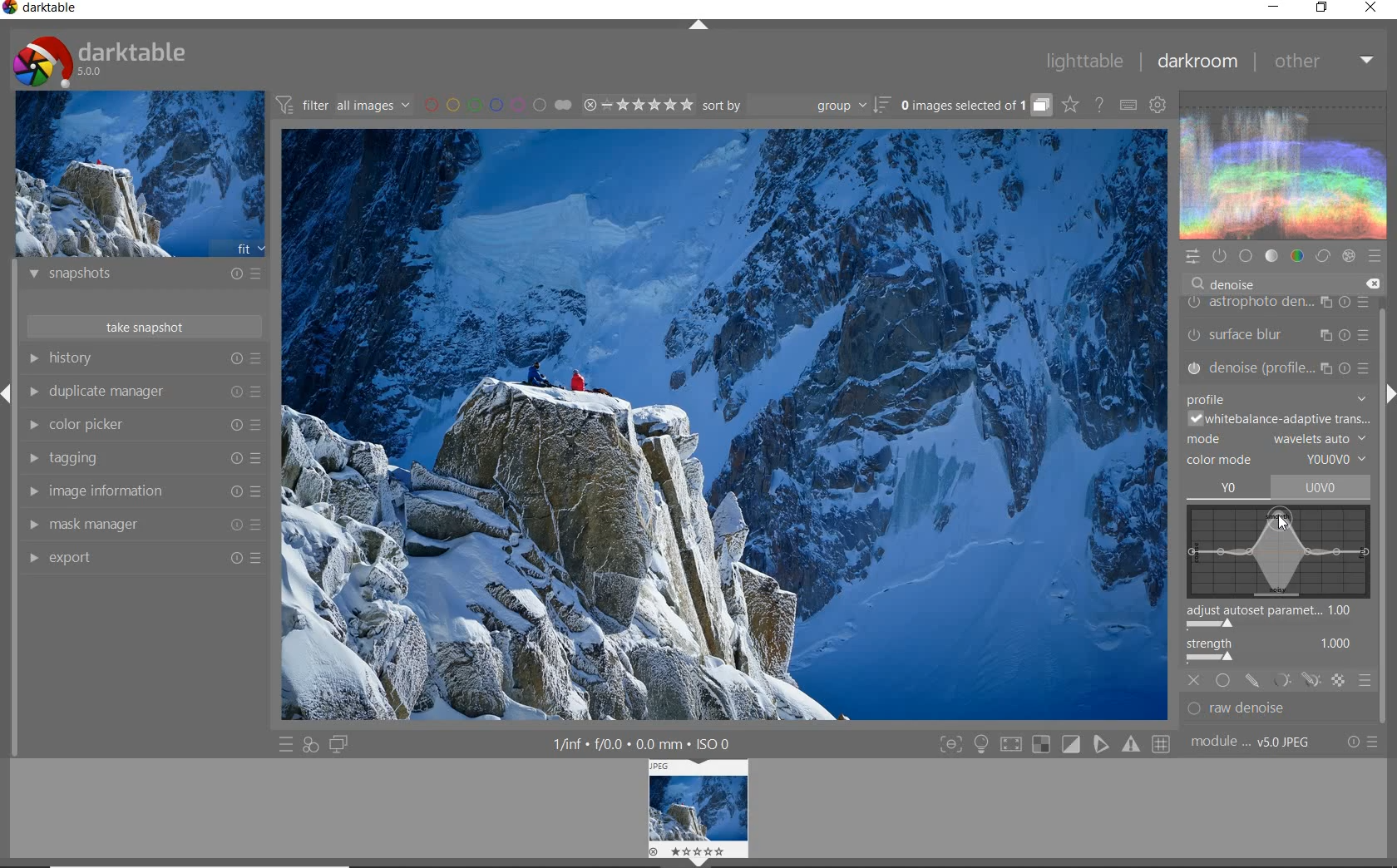  Describe the element at coordinates (1223, 680) in the screenshot. I see `UNIFORMLY` at that location.